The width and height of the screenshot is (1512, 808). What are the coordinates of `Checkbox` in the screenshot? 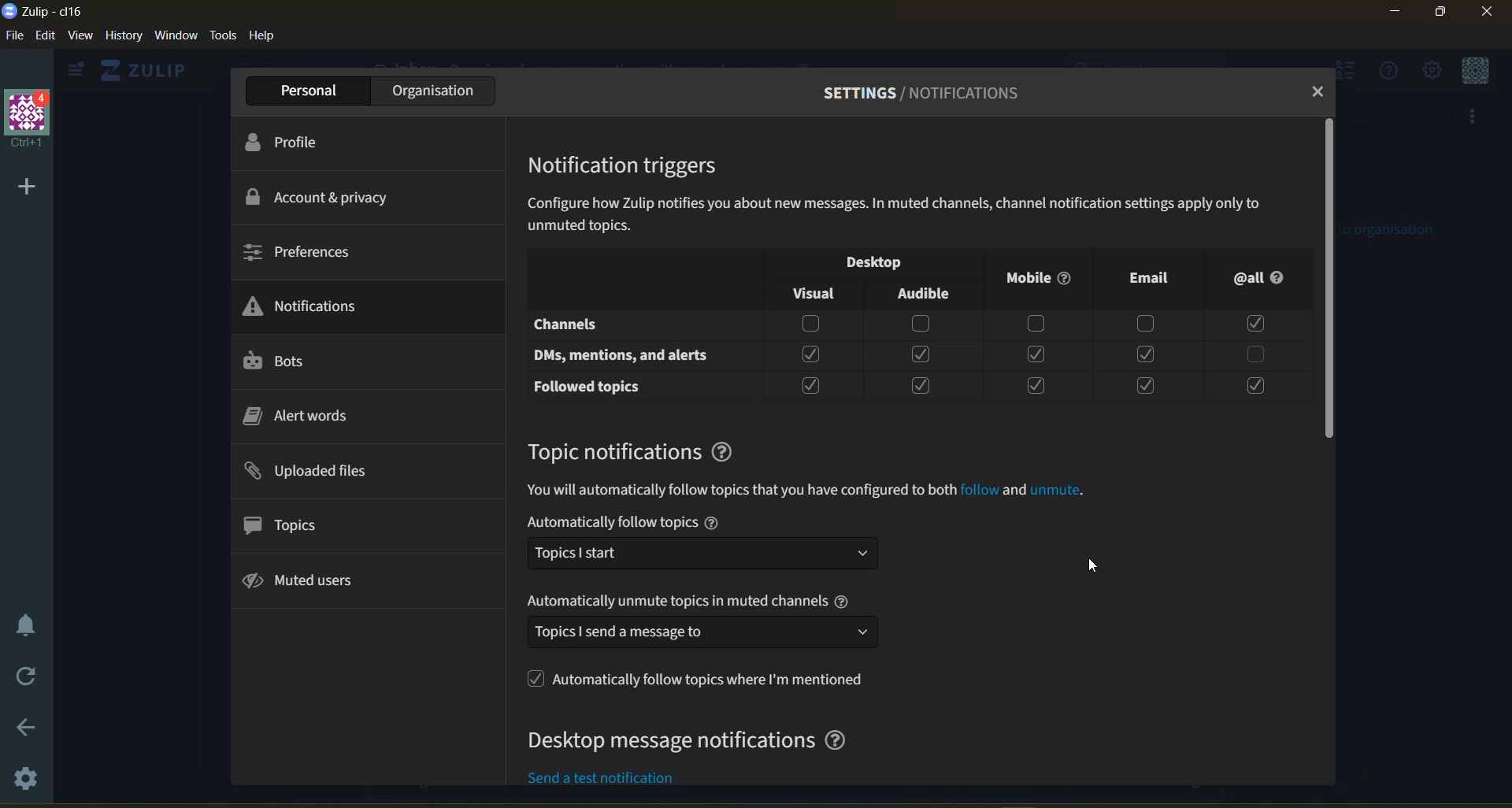 It's located at (925, 385).